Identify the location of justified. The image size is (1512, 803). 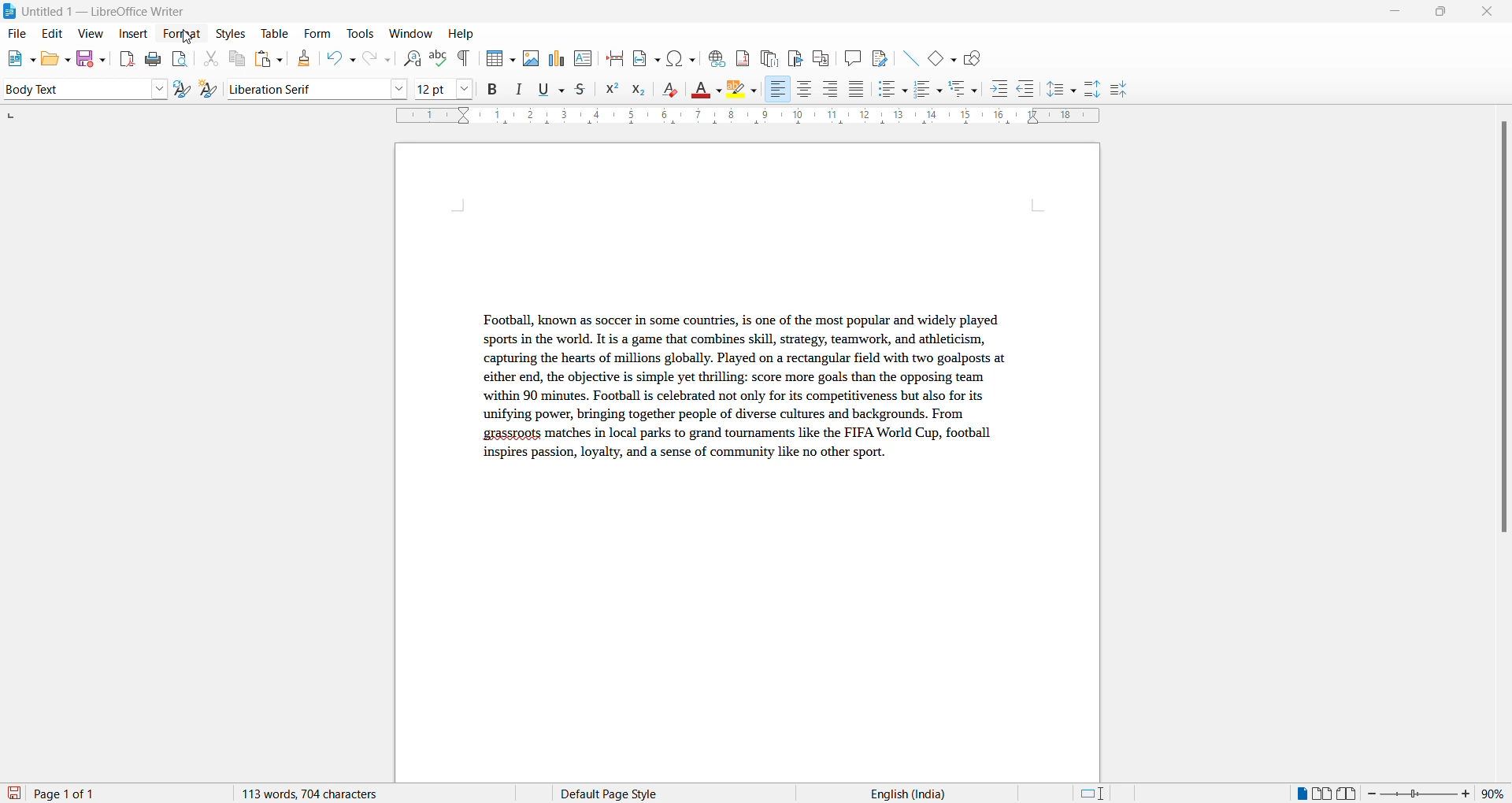
(858, 91).